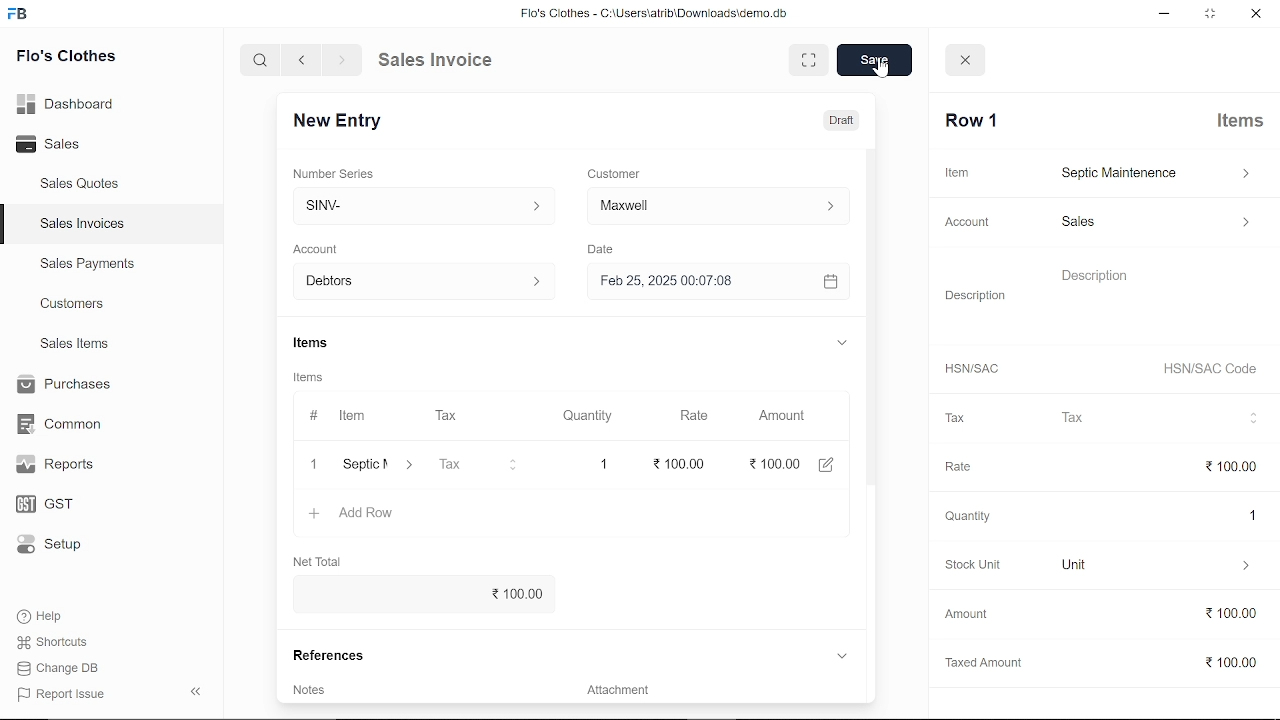 The height and width of the screenshot is (720, 1280). Describe the element at coordinates (1154, 225) in the screenshot. I see `sales` at that location.